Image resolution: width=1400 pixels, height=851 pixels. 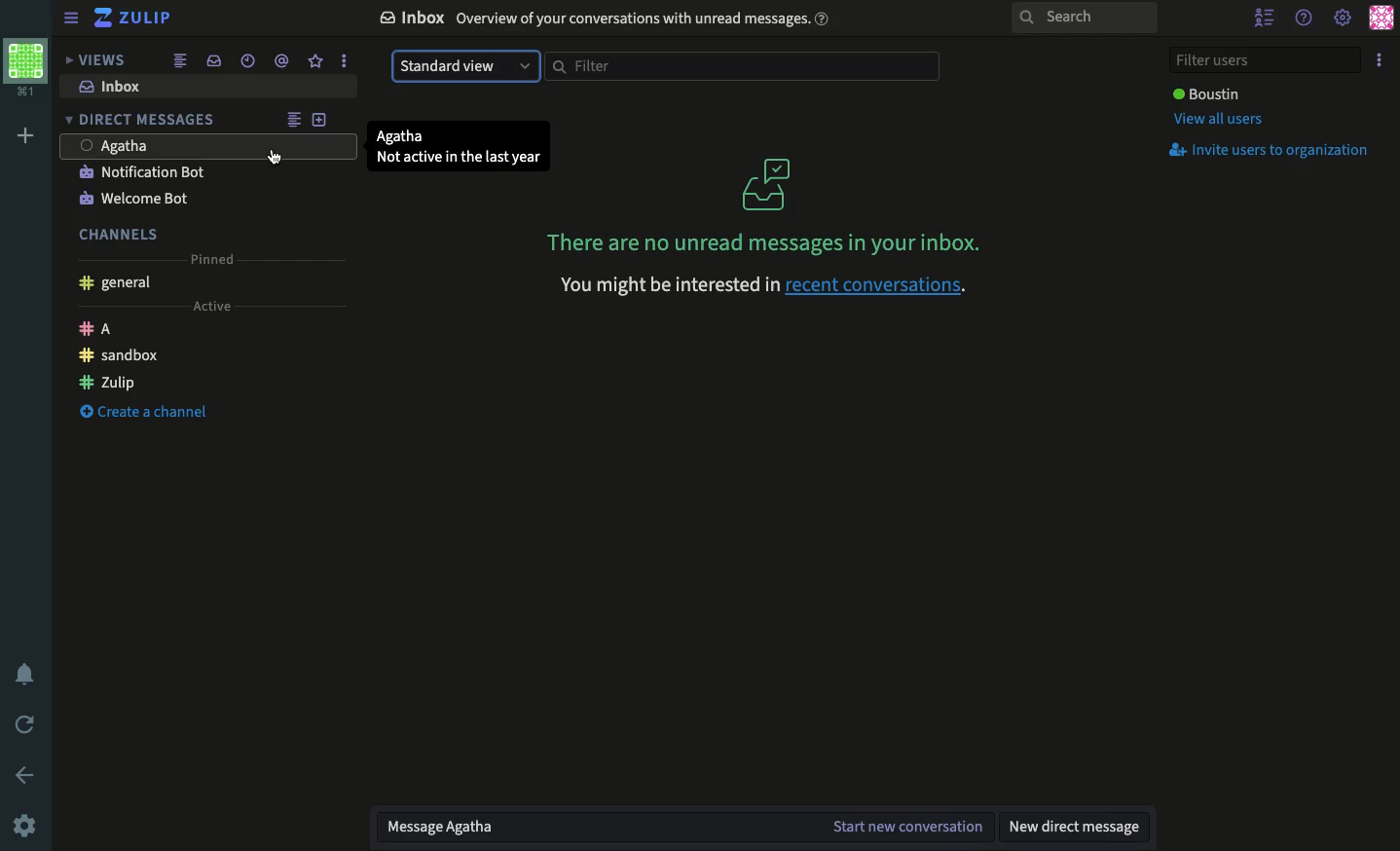 What do you see at coordinates (145, 119) in the screenshot?
I see `DM` at bounding box center [145, 119].